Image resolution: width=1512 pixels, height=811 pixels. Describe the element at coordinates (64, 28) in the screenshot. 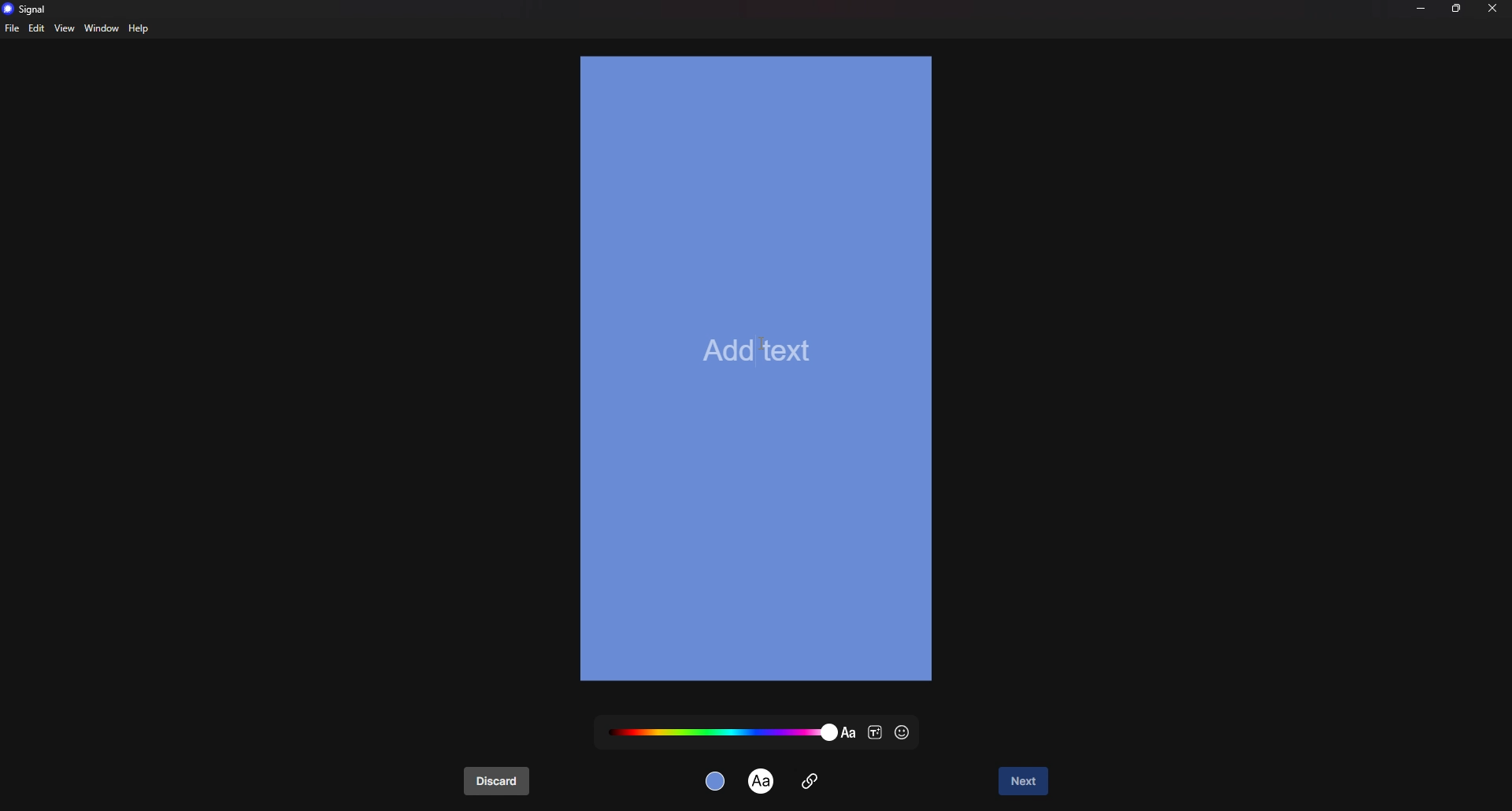

I see `view` at that location.